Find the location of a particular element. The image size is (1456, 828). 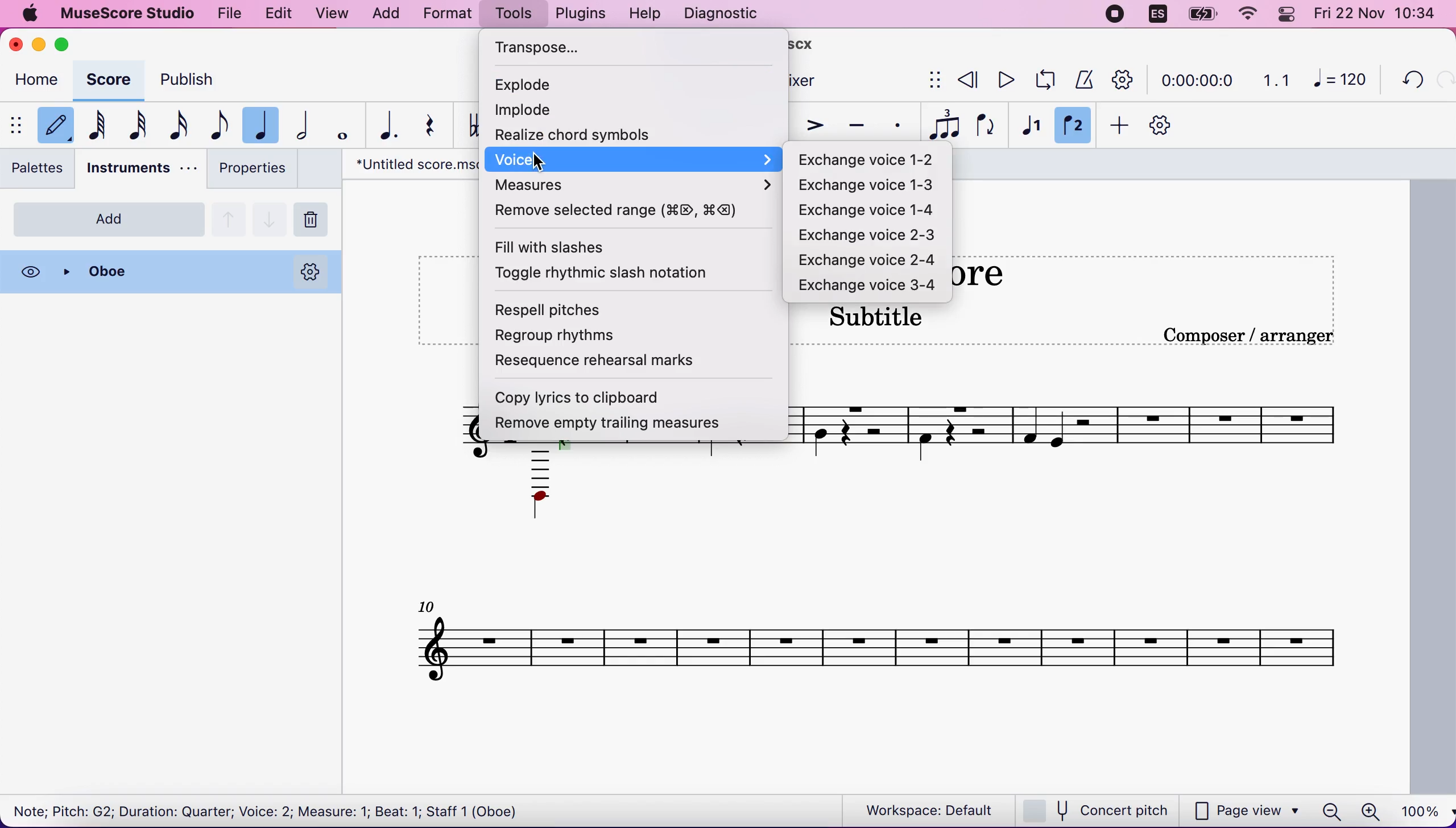

add is located at coordinates (1121, 123).